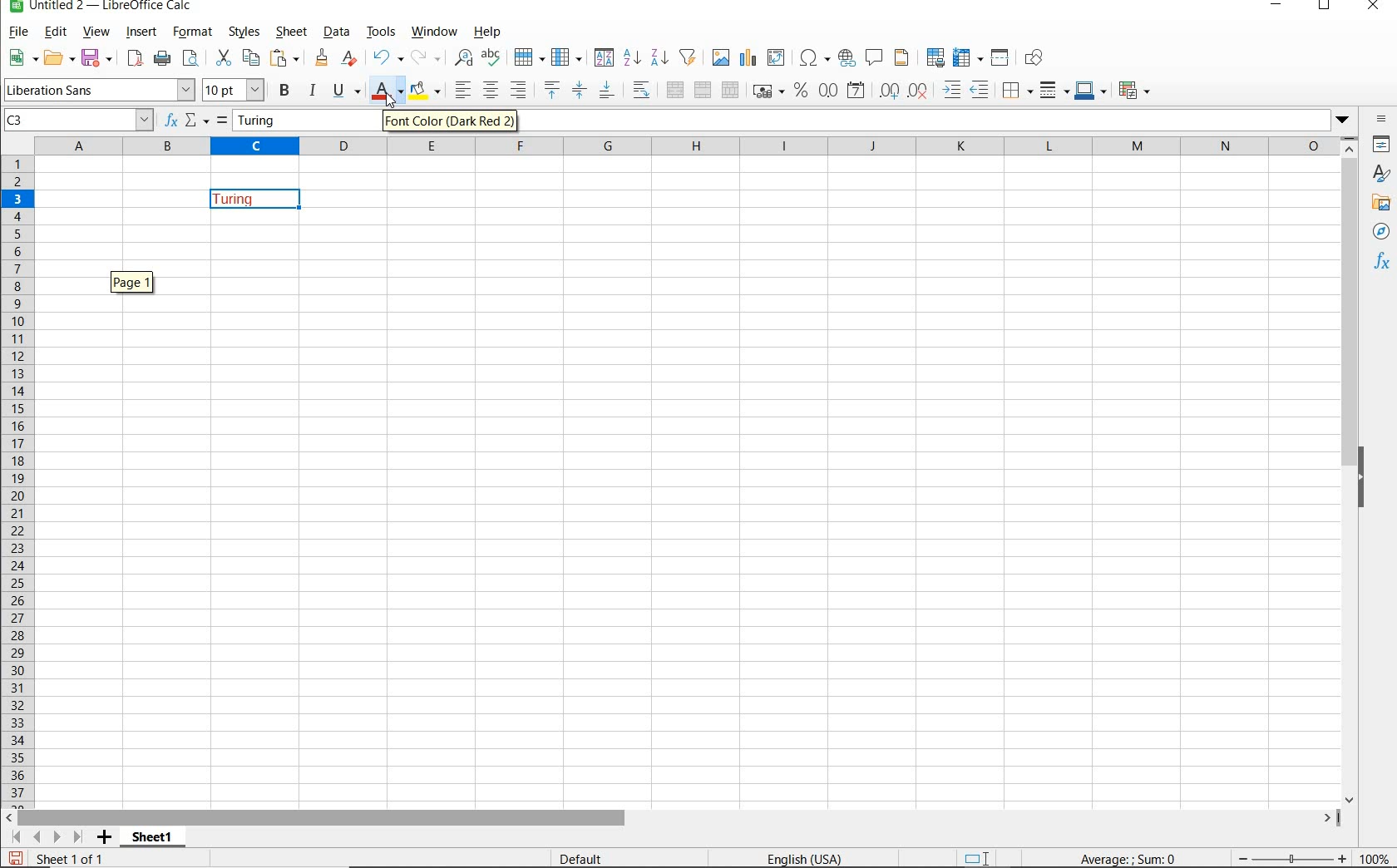 This screenshot has width=1397, height=868. Describe the element at coordinates (676, 91) in the screenshot. I see `MERGE AND CENTER OR UNMERGE CELLS` at that location.